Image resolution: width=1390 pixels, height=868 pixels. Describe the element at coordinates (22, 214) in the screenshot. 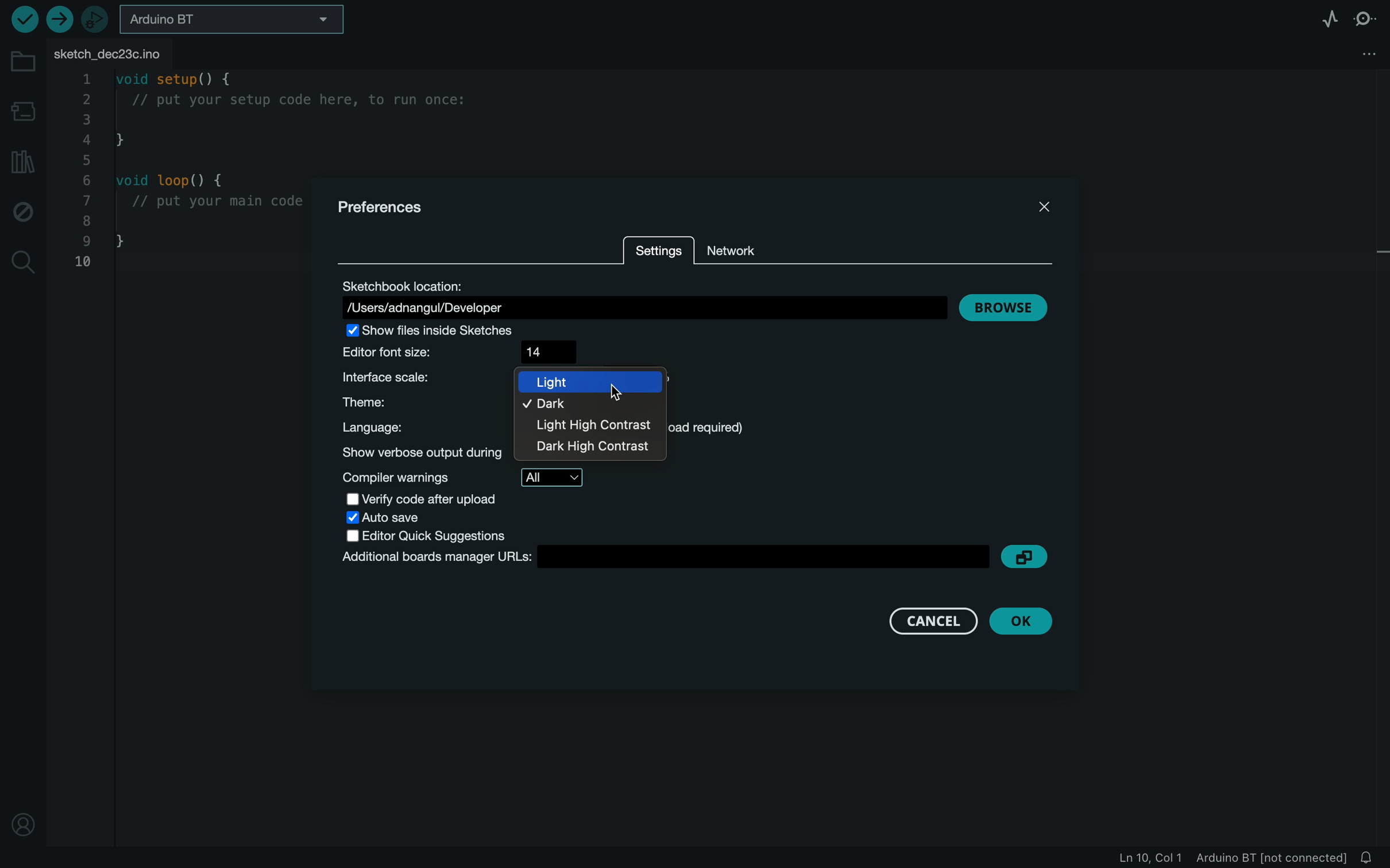

I see `debug` at that location.